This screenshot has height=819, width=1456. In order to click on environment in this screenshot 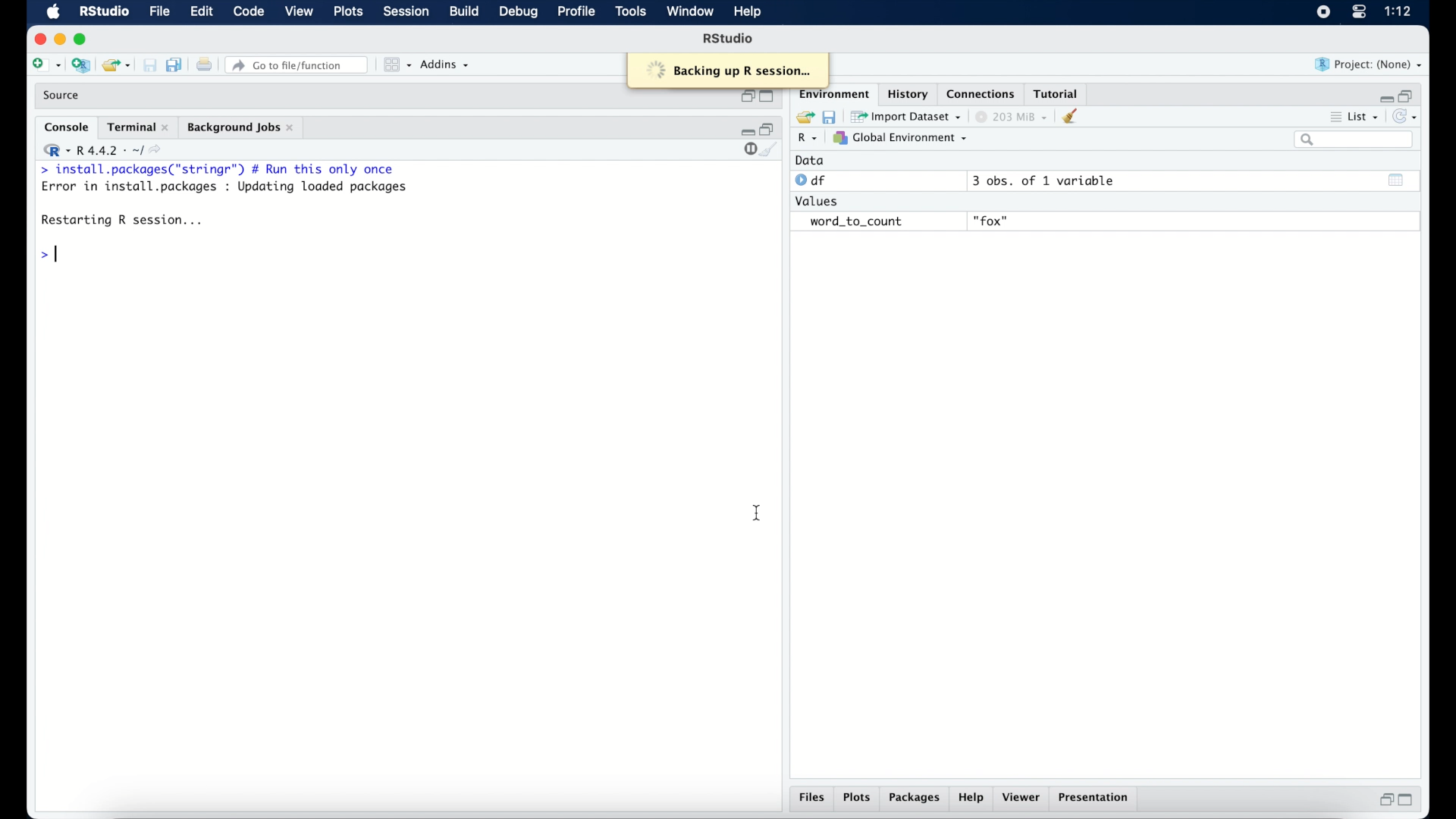, I will do `click(833, 97)`.